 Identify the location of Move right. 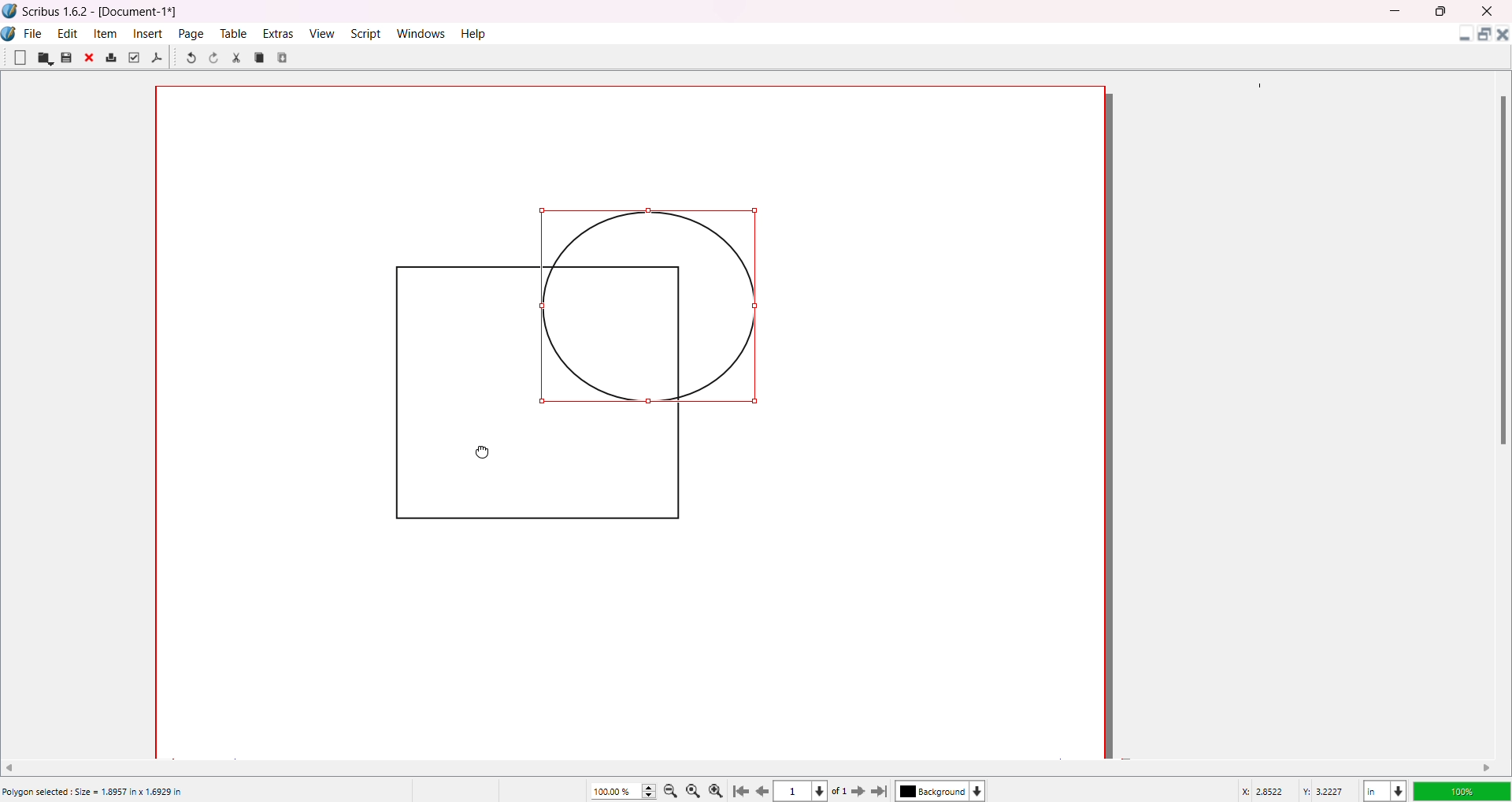
(1488, 767).